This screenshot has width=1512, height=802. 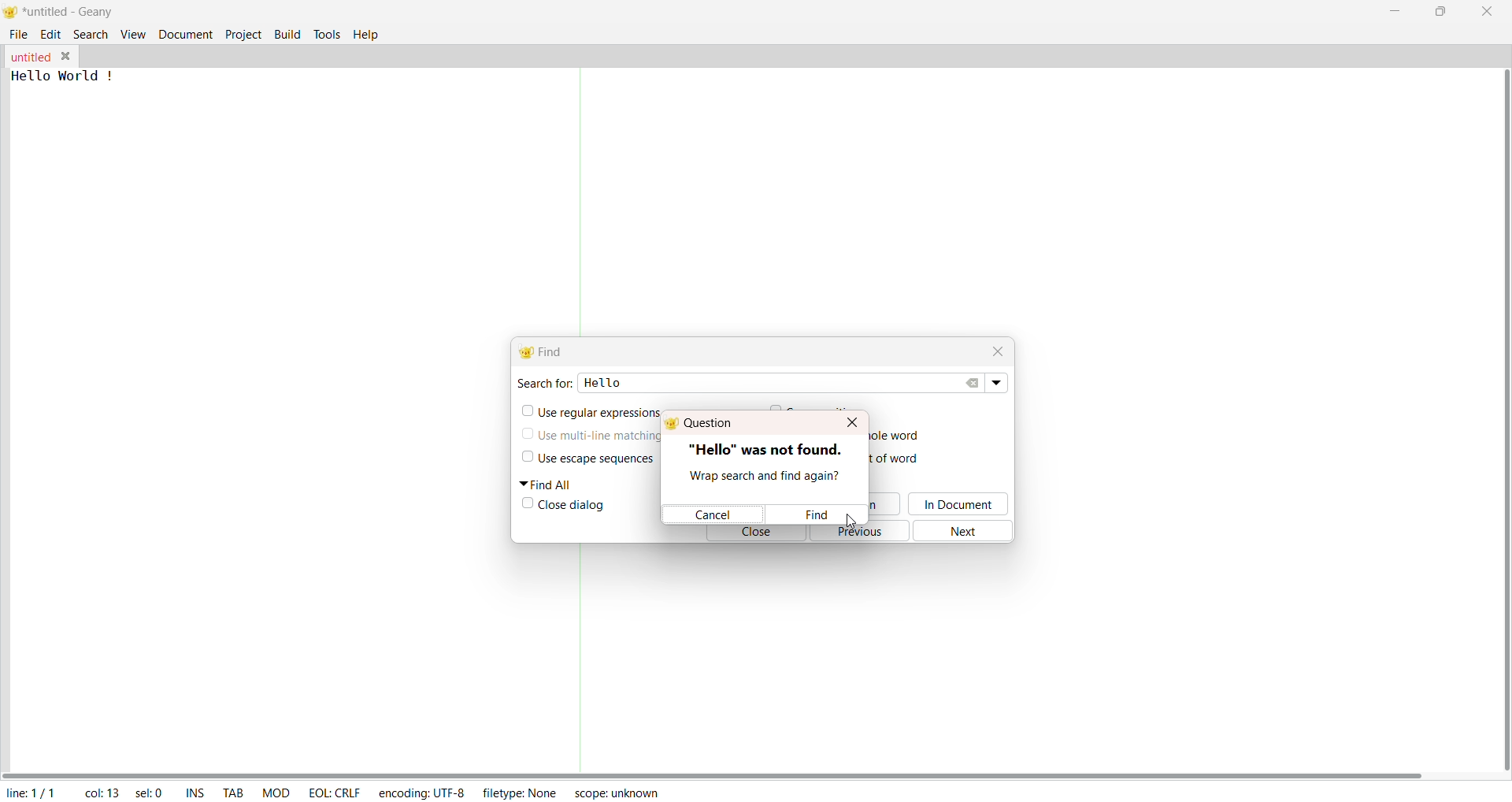 I want to click on Whole word, so click(x=896, y=435).